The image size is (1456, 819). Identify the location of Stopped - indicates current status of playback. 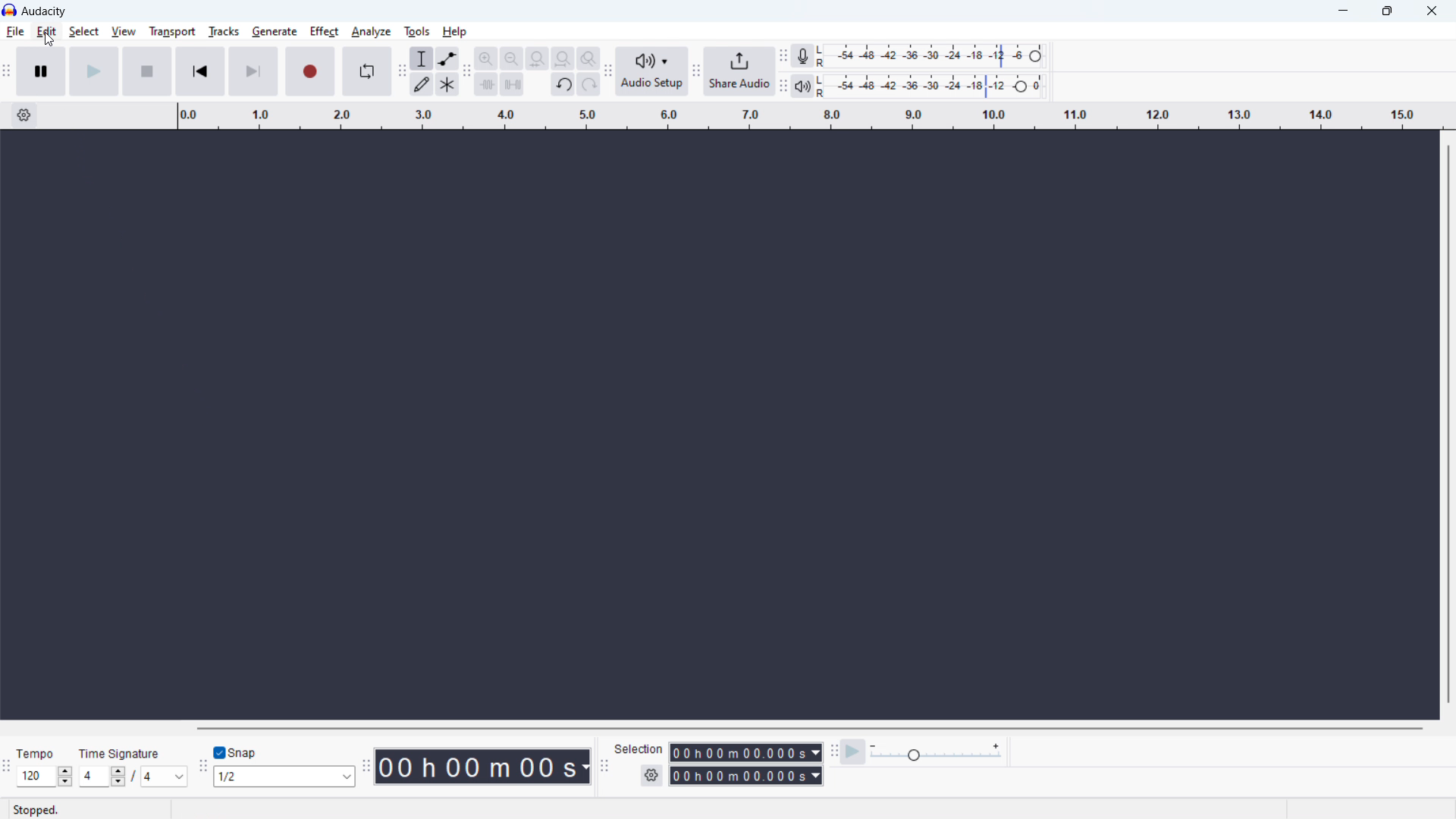
(87, 809).